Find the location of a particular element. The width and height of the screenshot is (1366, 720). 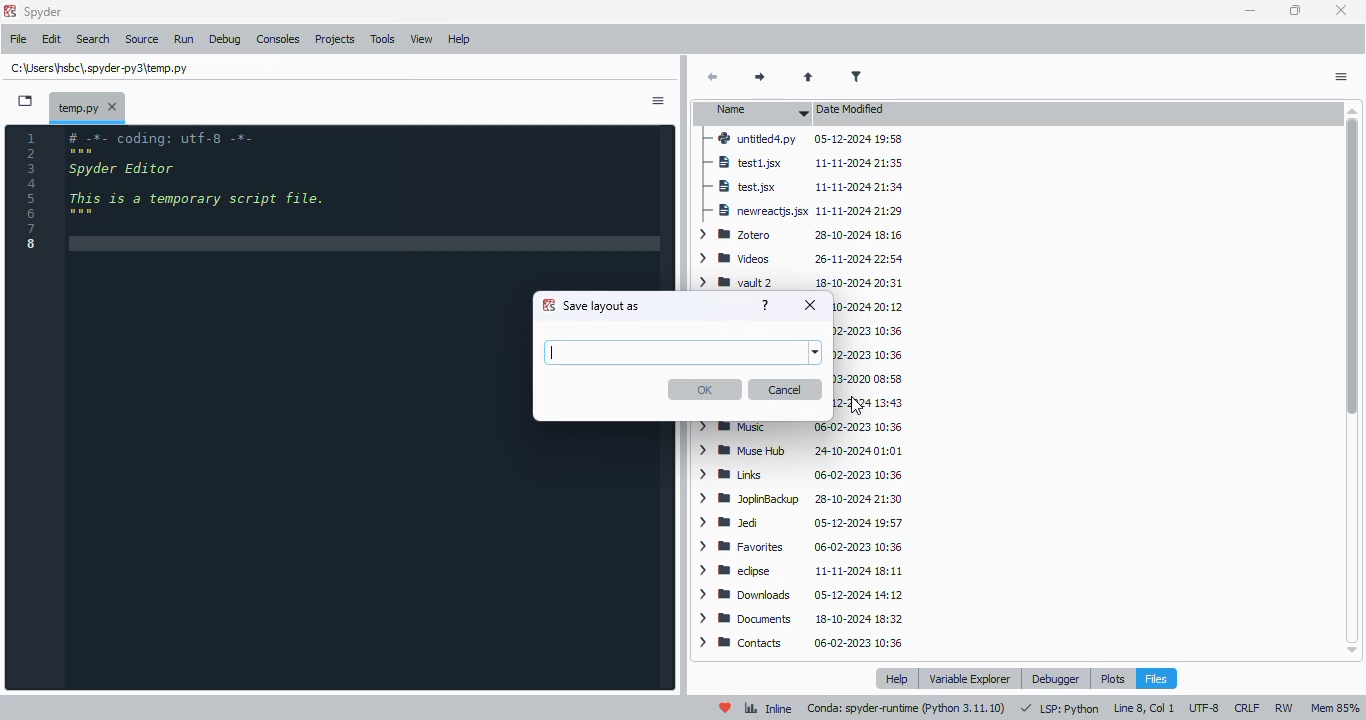

browse is located at coordinates (816, 353).